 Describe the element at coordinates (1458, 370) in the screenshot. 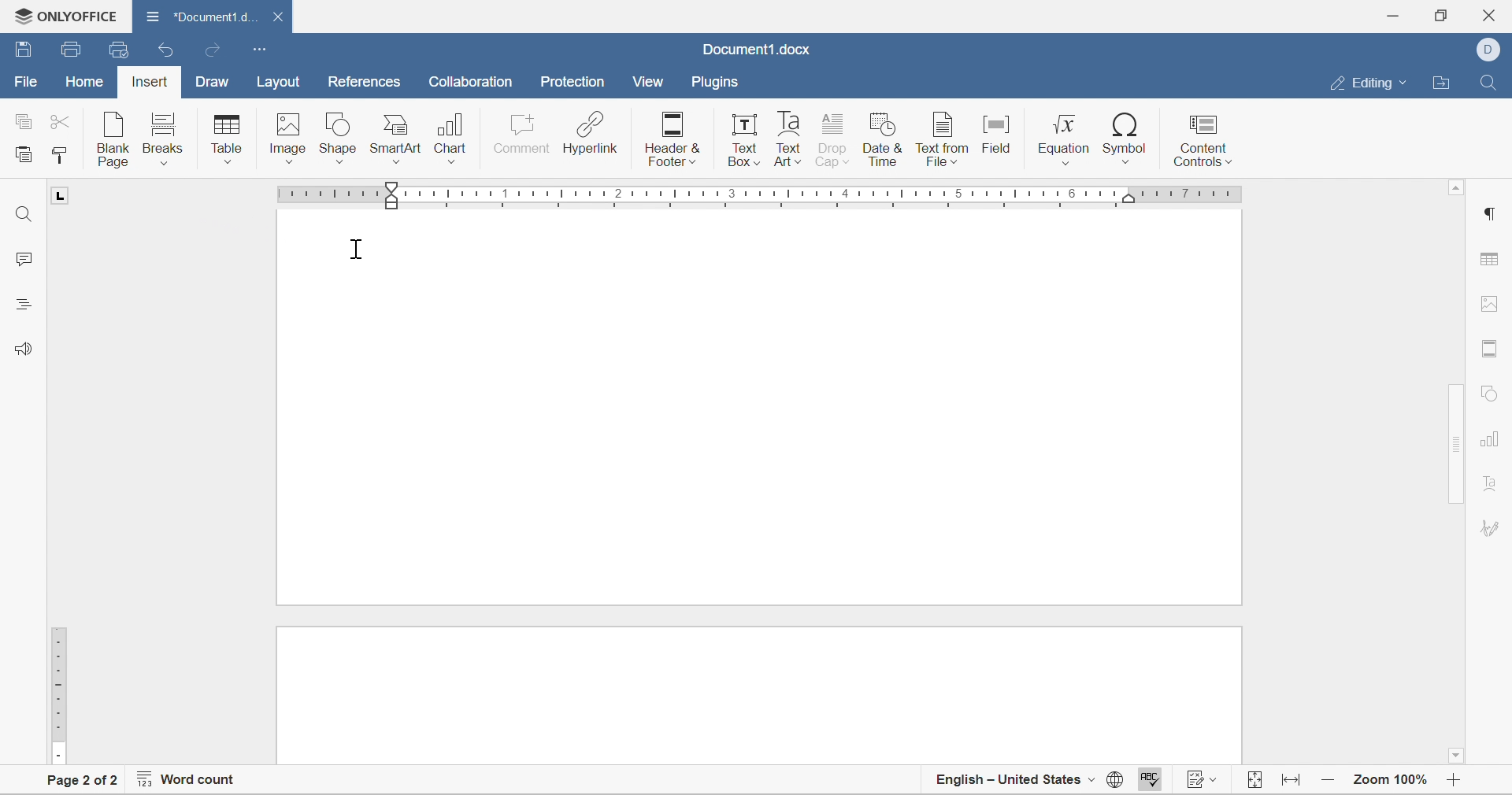

I see `Scroll bar` at that location.